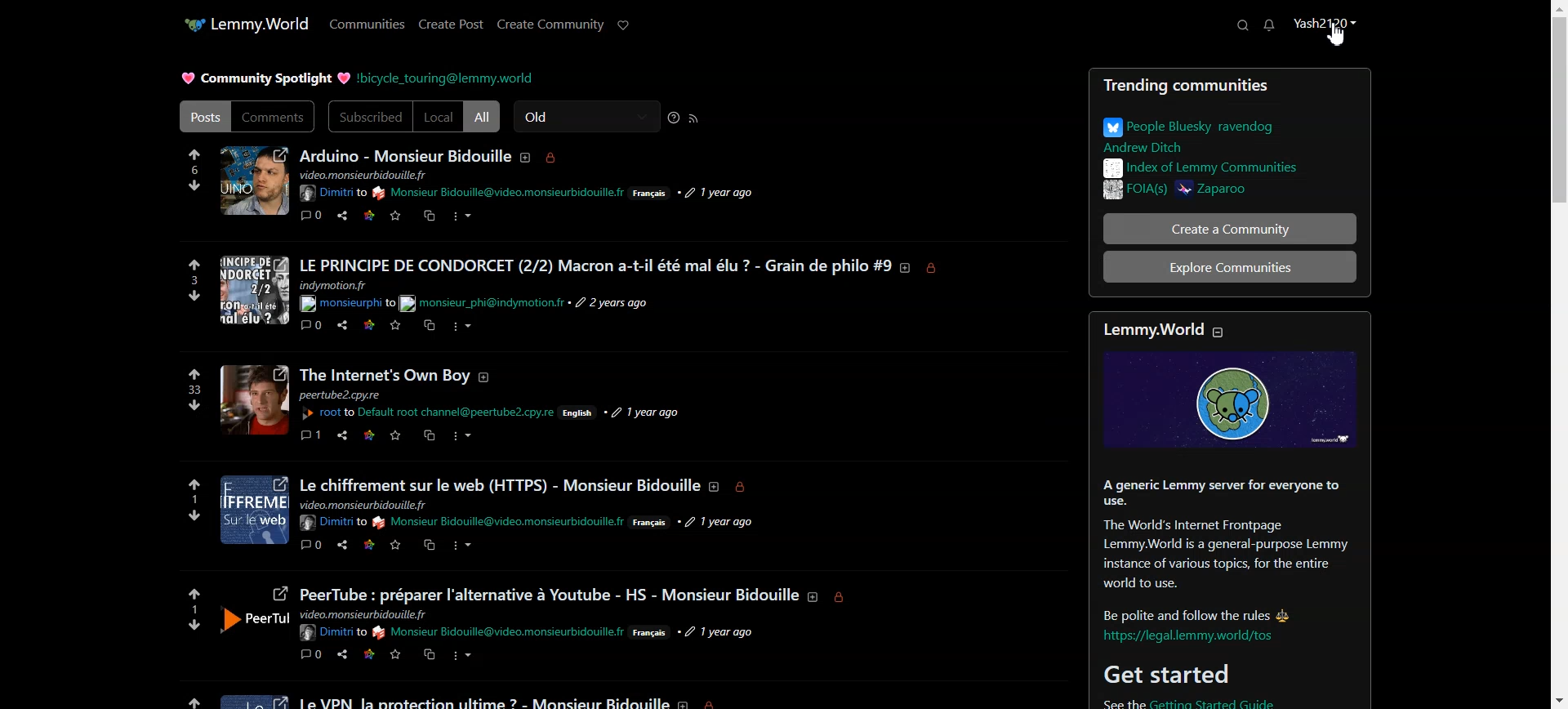 The image size is (1568, 709). Describe the element at coordinates (906, 268) in the screenshot. I see `about` at that location.